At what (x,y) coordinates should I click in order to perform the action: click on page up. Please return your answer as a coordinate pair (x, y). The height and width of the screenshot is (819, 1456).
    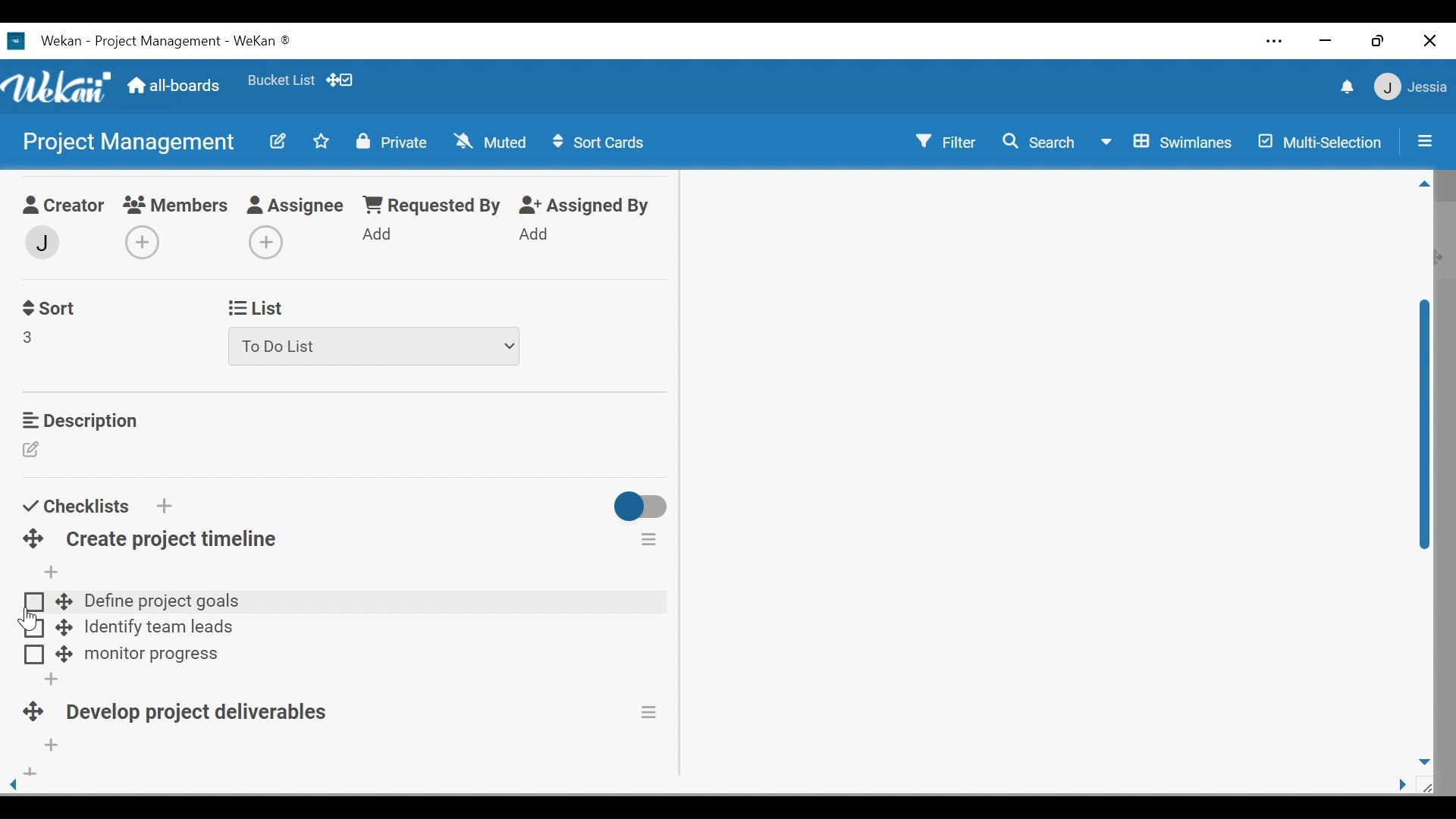
    Looking at the image, I should click on (1425, 187).